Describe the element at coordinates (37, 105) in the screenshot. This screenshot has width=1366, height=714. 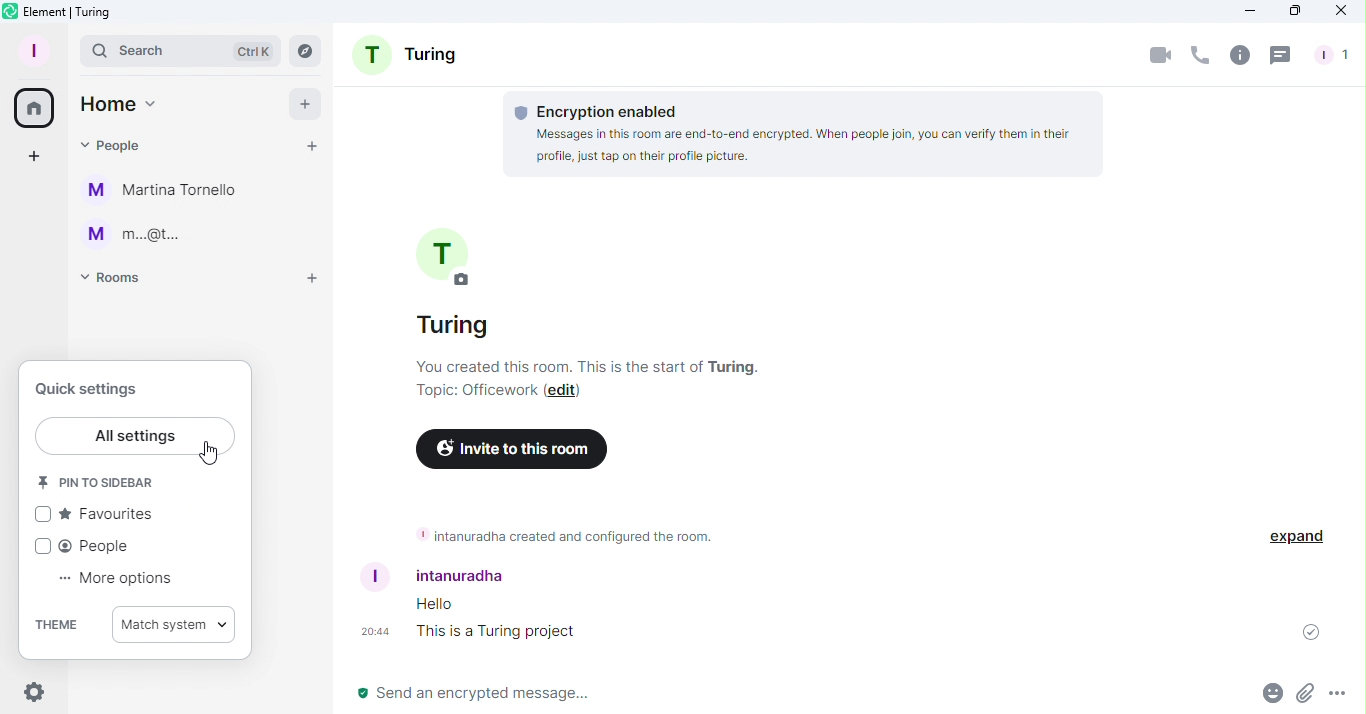
I see `Home` at that location.